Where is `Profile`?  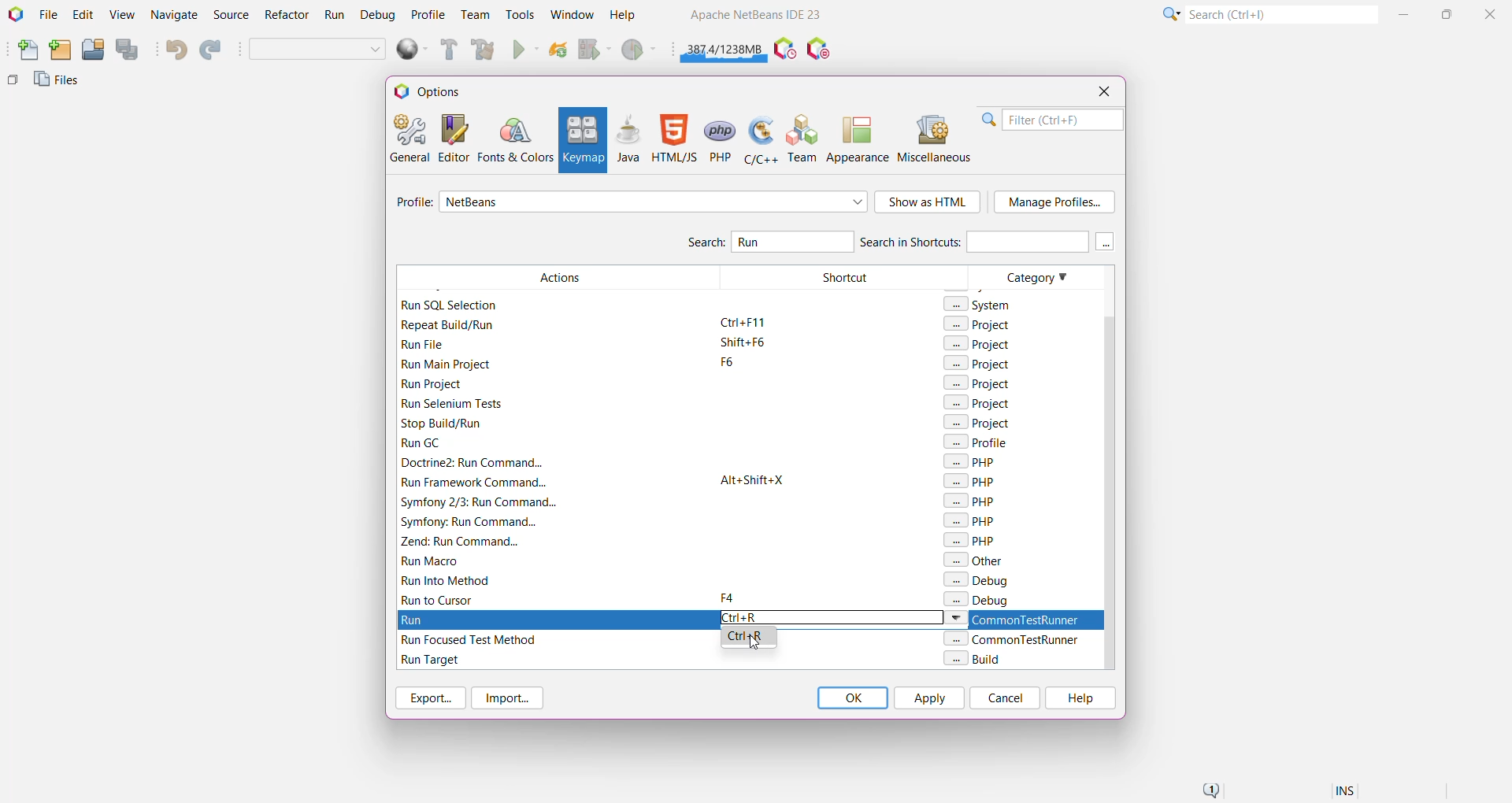 Profile is located at coordinates (412, 204).